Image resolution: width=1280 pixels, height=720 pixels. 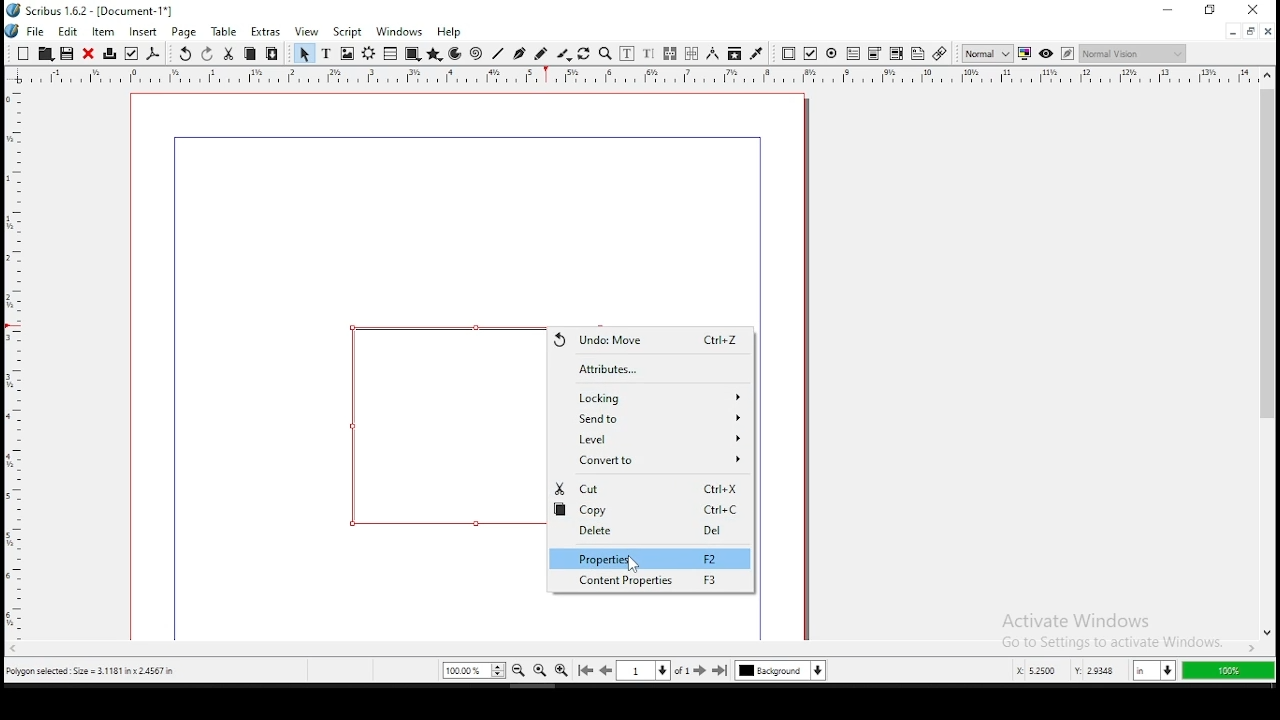 I want to click on preflight verifier, so click(x=130, y=54).